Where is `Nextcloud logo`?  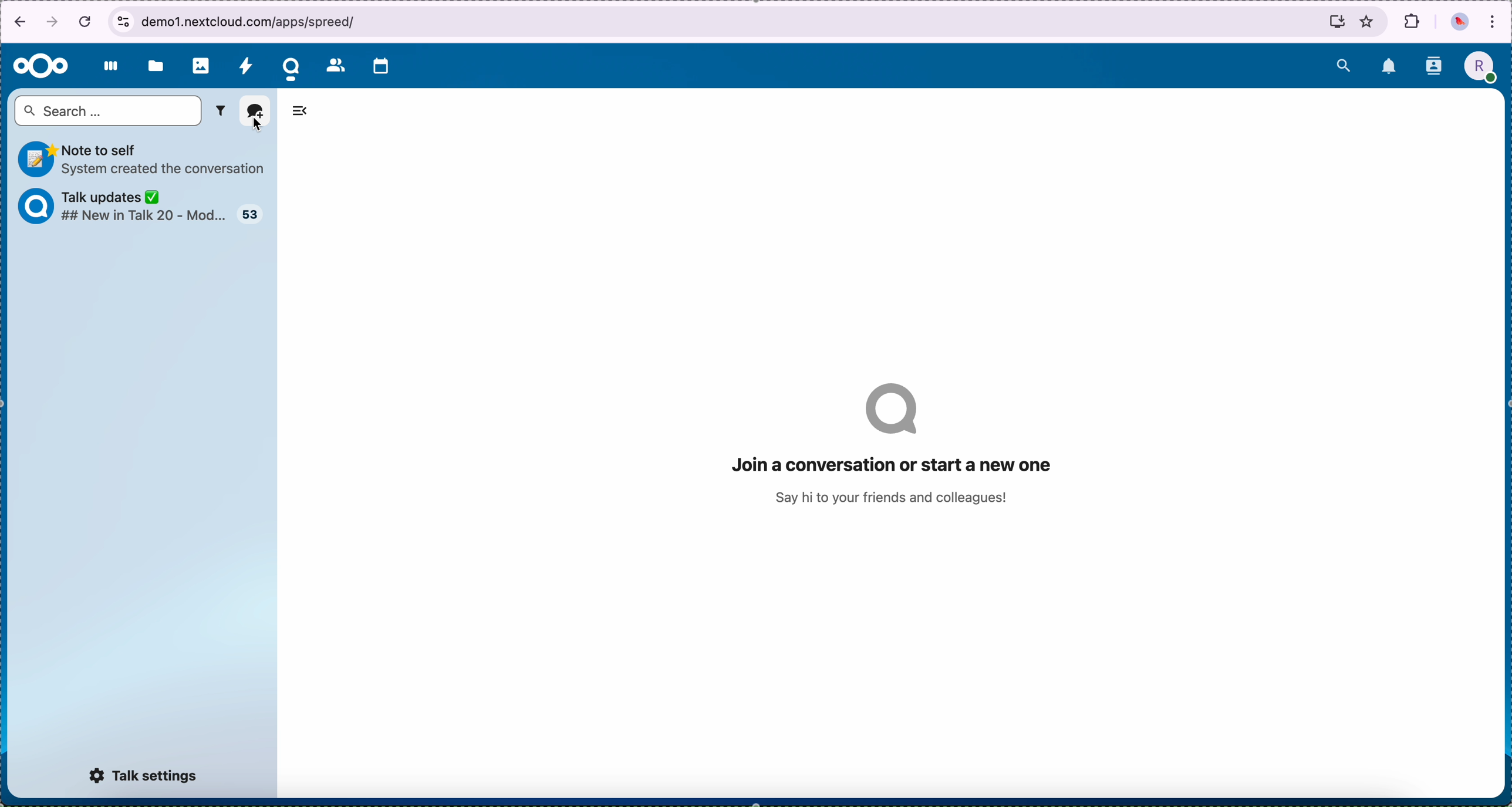
Nextcloud logo is located at coordinates (40, 67).